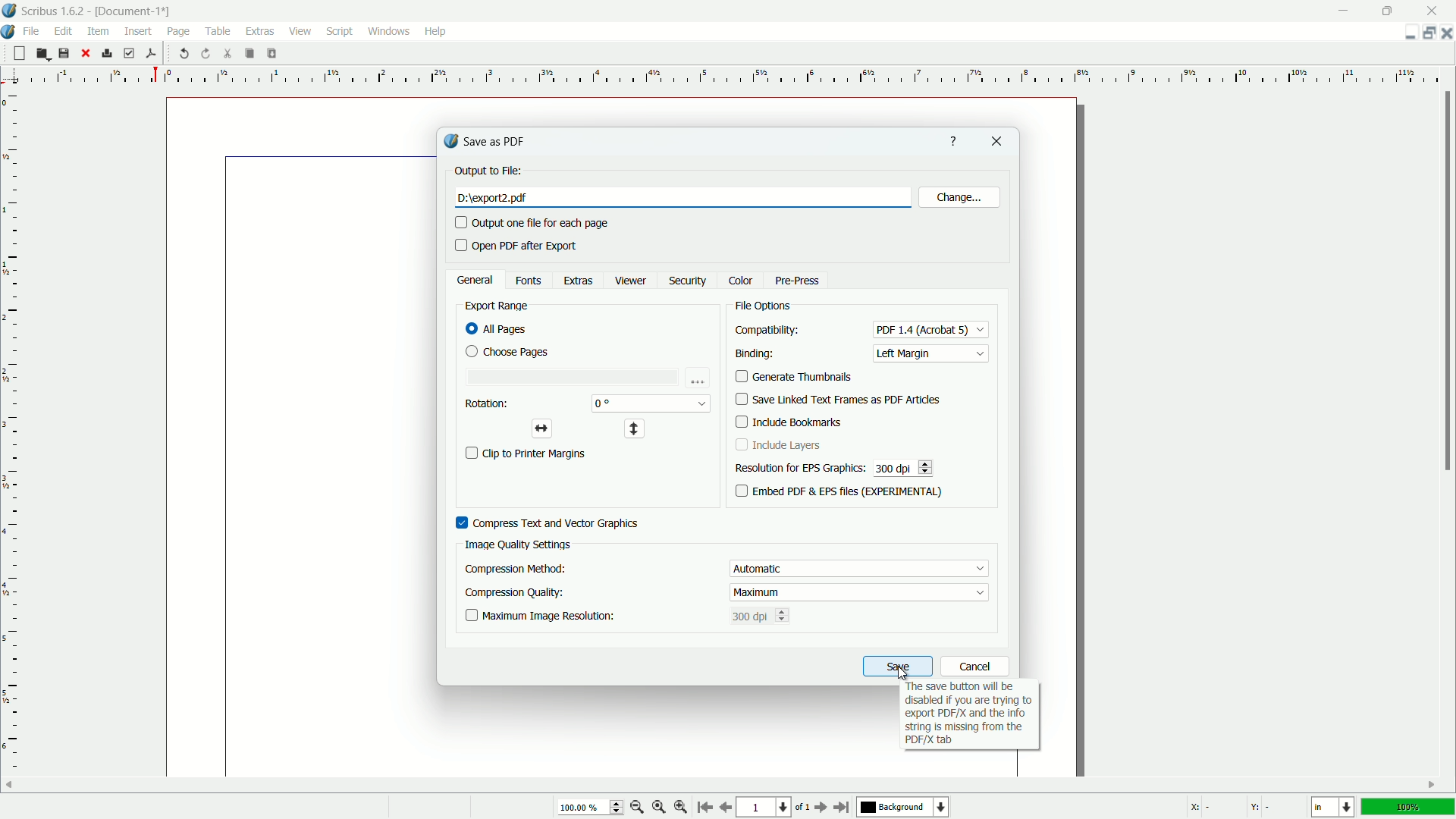  Describe the element at coordinates (340, 32) in the screenshot. I see `script menu` at that location.